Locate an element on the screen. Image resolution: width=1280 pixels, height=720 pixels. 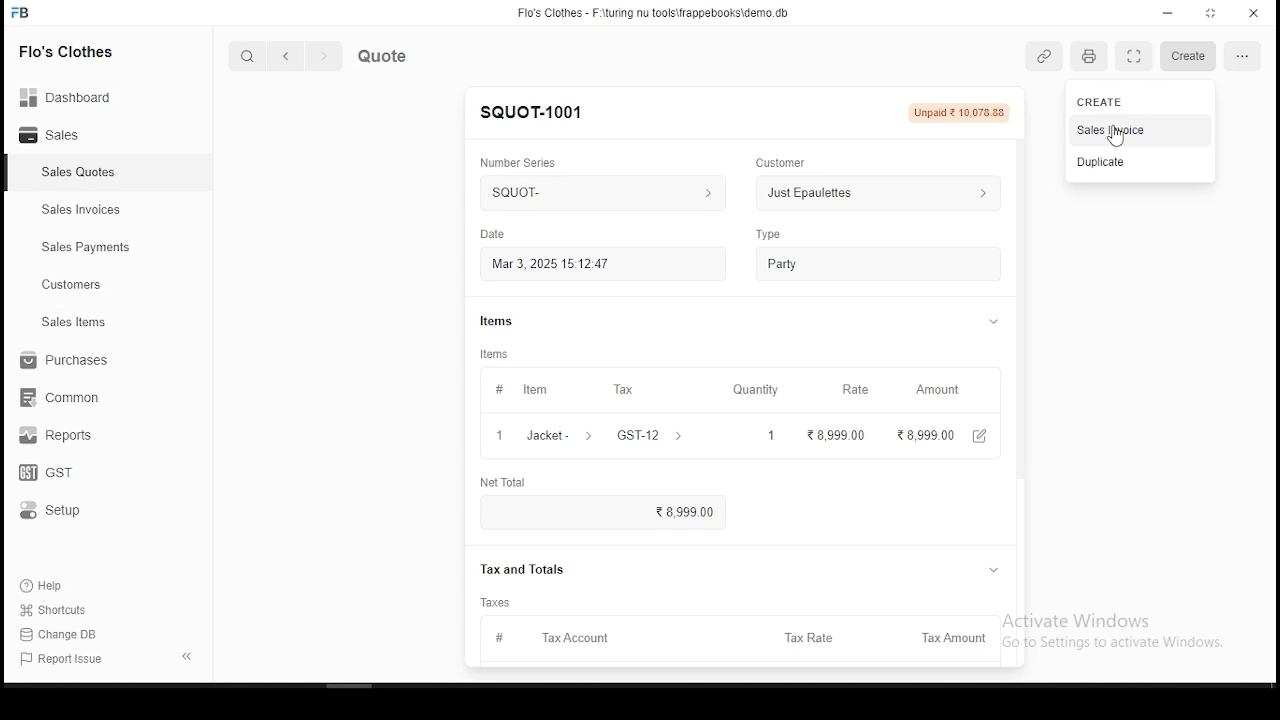
date is located at coordinates (495, 232).